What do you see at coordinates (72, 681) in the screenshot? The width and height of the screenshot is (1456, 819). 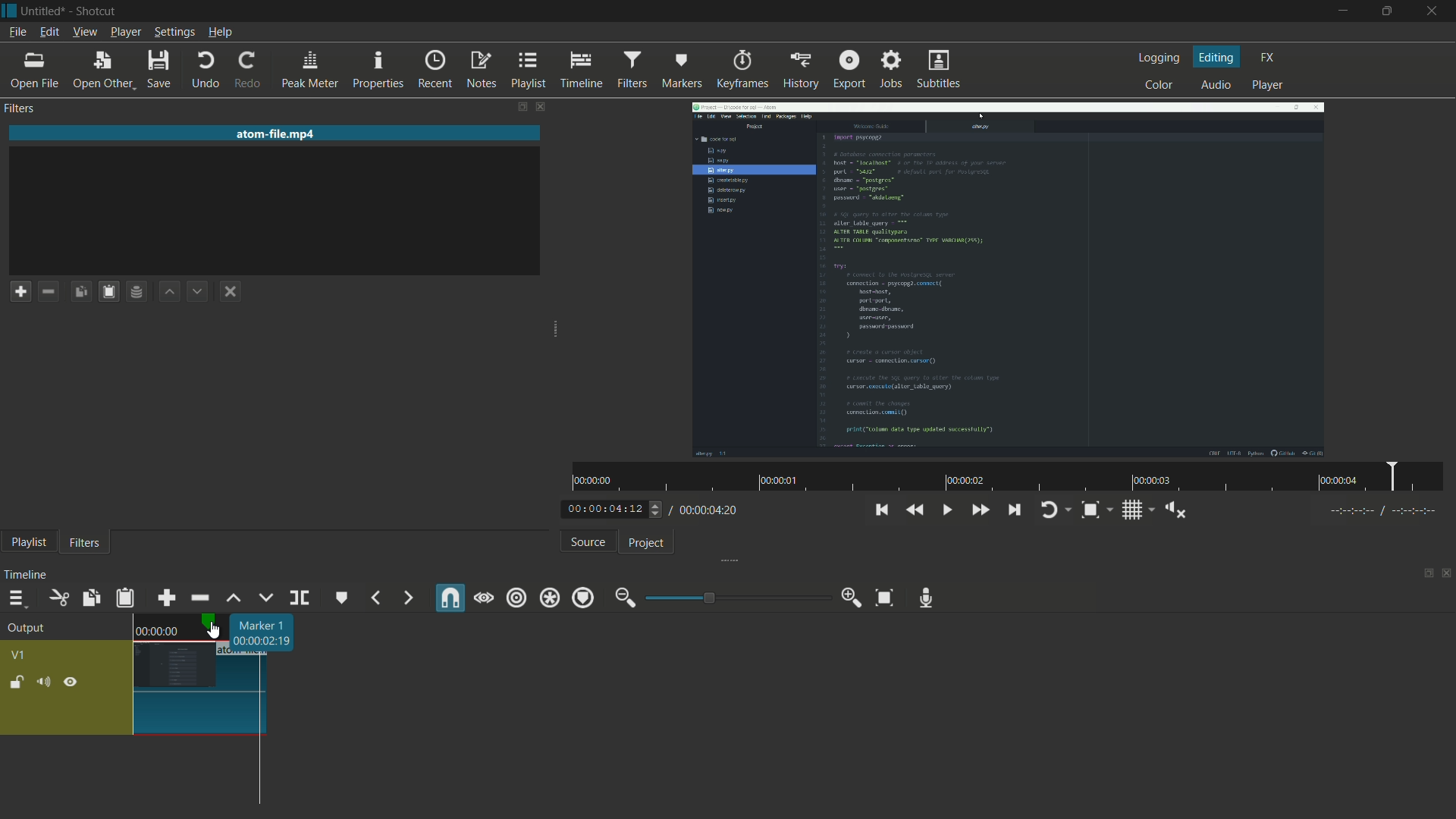 I see `hide` at bounding box center [72, 681].